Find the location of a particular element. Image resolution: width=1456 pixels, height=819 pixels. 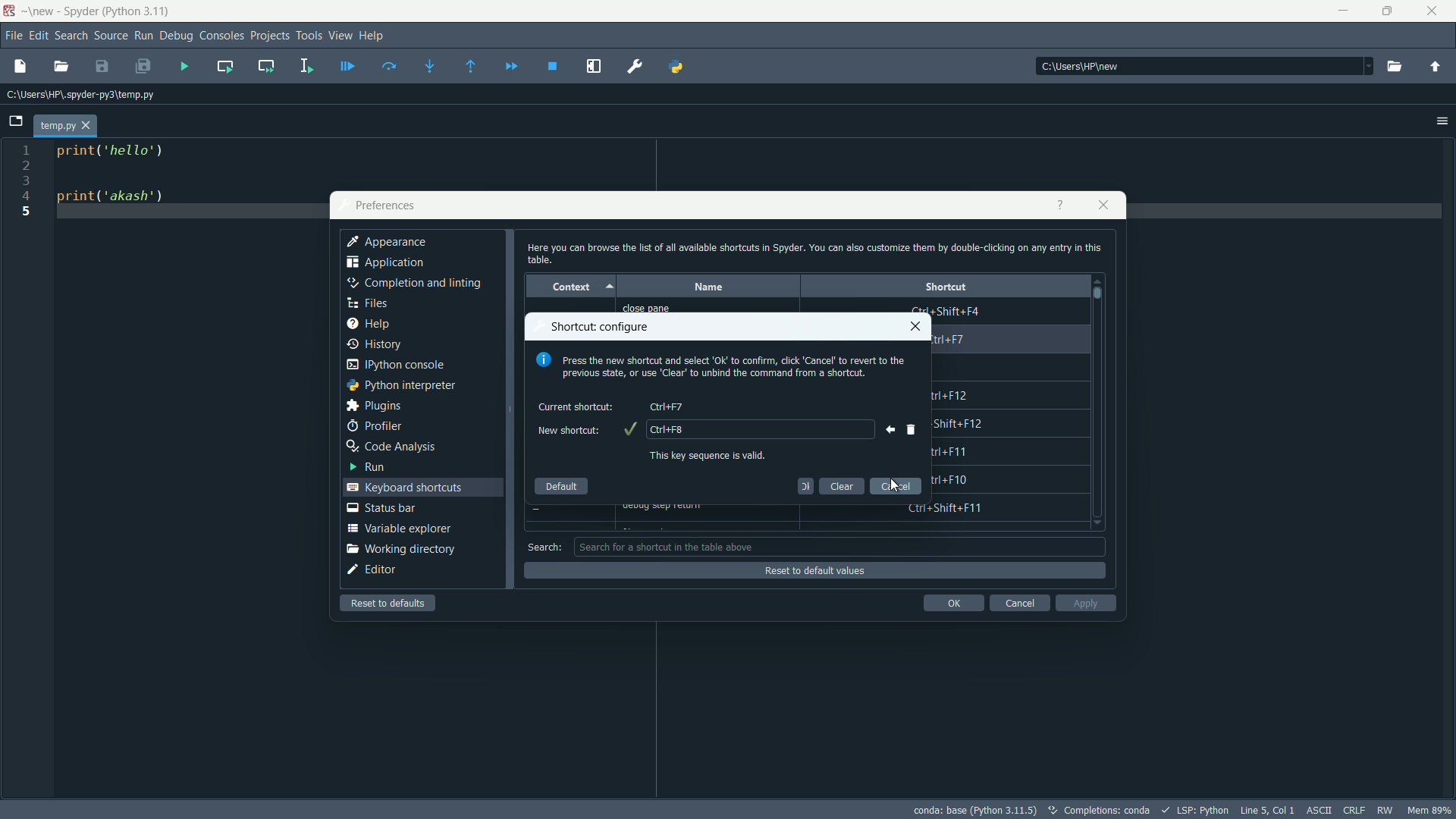

reset to default values is located at coordinates (812, 571).